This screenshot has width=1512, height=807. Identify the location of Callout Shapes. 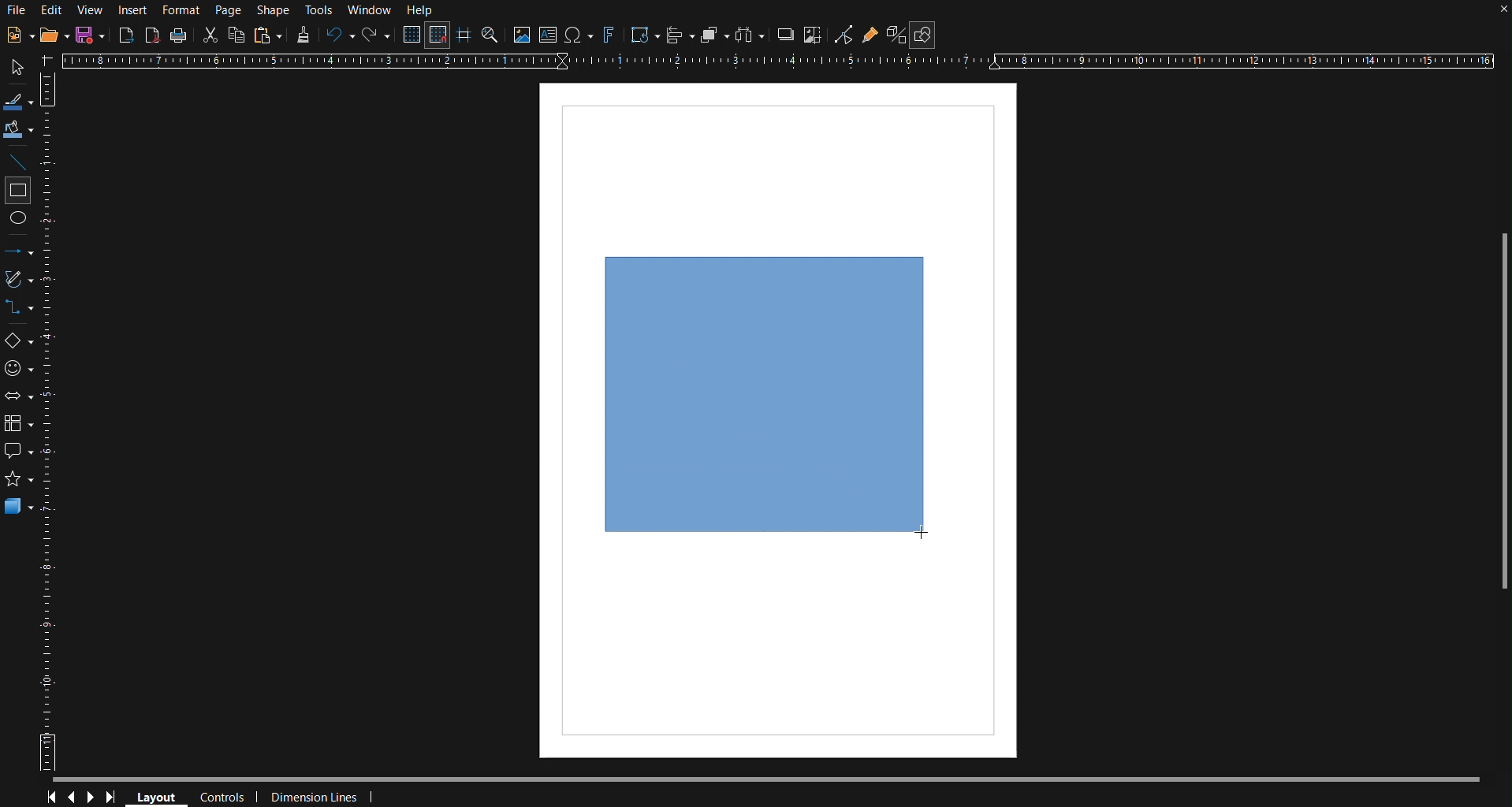
(19, 451).